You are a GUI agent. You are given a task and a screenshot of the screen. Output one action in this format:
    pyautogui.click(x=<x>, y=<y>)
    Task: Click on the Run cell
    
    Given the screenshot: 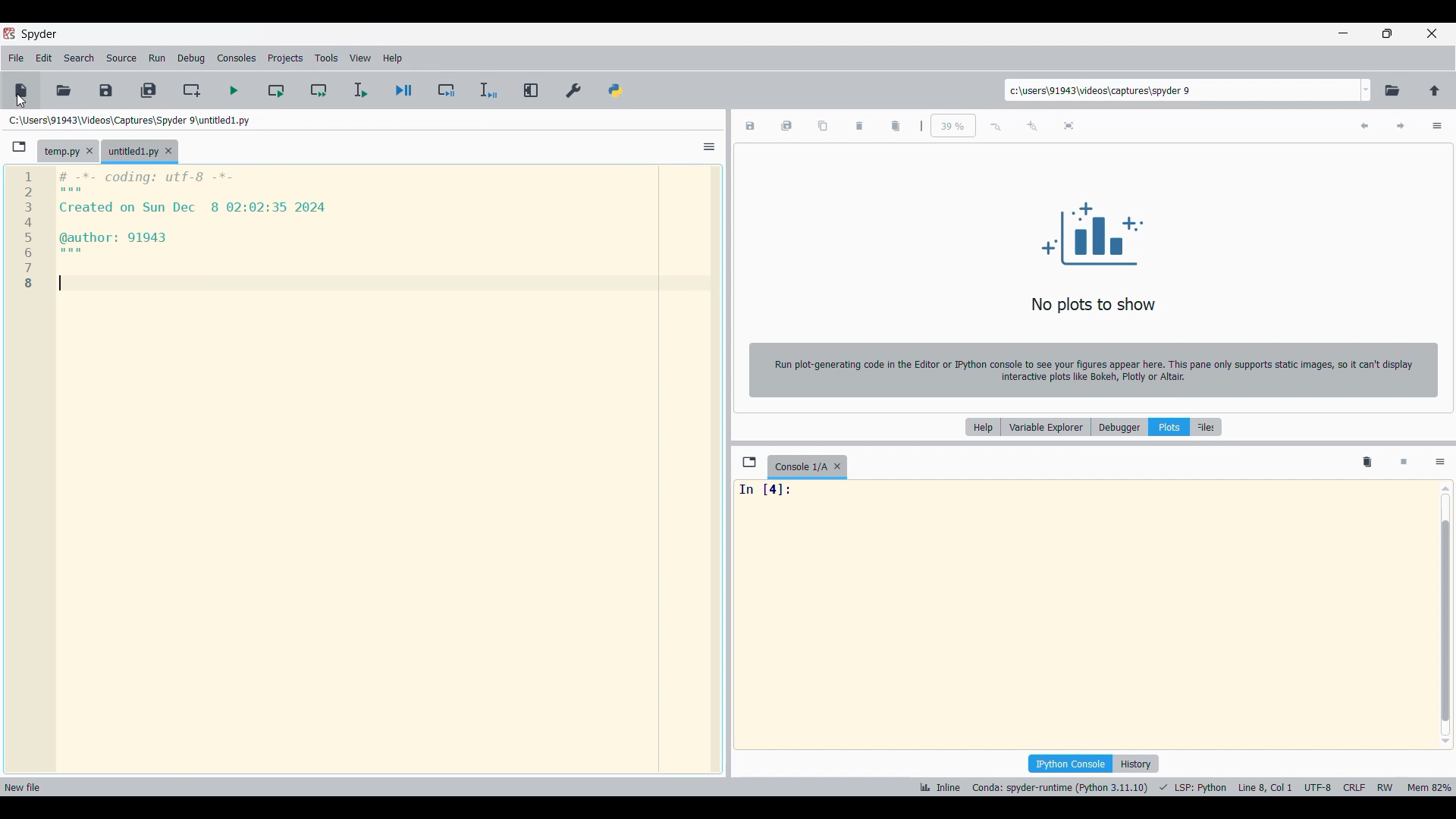 What is the action you would take?
    pyautogui.click(x=234, y=90)
    